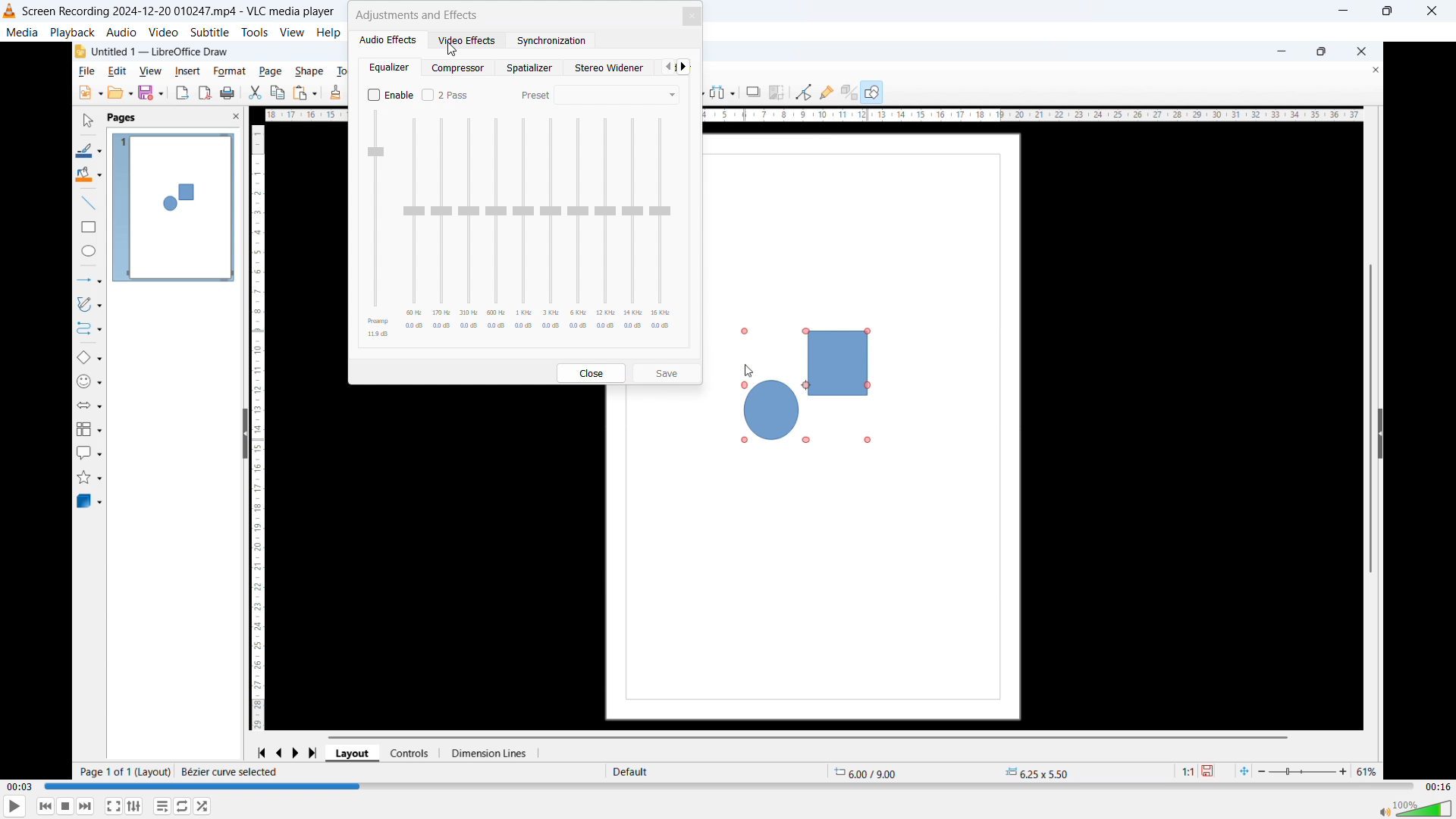 The image size is (1456, 819). What do you see at coordinates (441, 227) in the screenshot?
I see `170 HZ controller` at bounding box center [441, 227].